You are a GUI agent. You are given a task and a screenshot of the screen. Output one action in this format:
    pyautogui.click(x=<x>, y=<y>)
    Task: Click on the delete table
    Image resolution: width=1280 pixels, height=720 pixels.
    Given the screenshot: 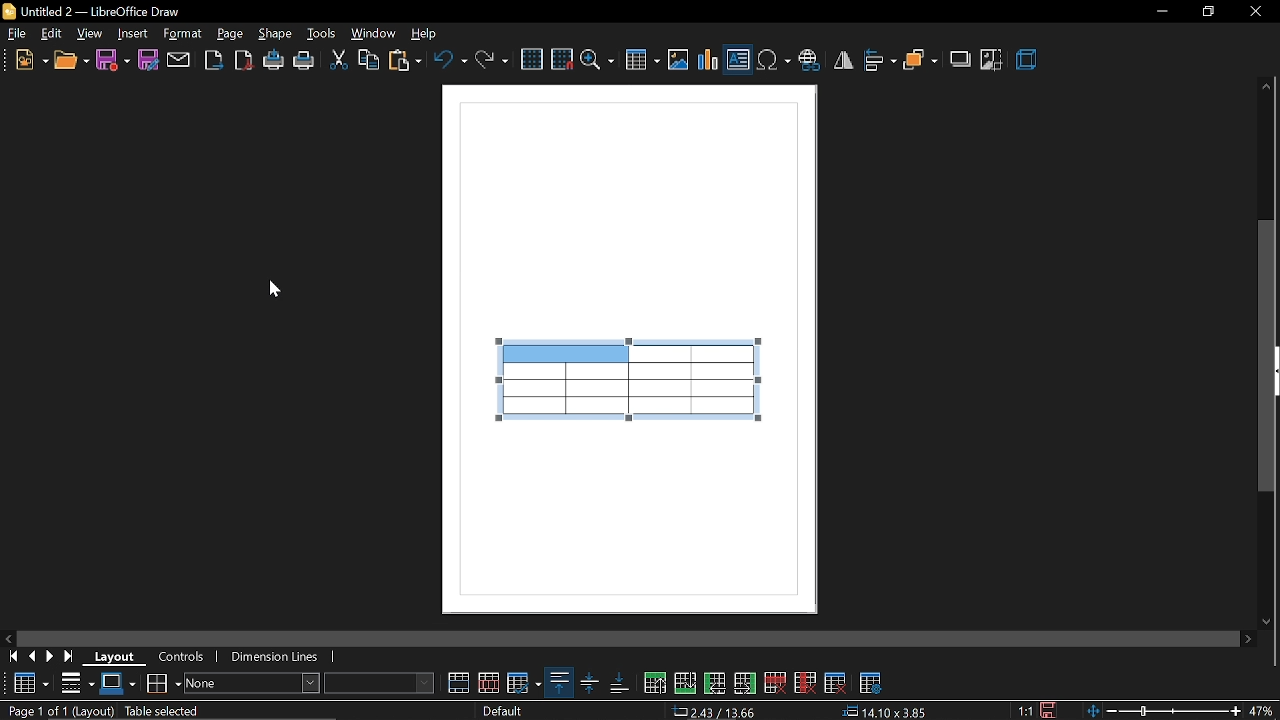 What is the action you would take?
    pyautogui.click(x=834, y=682)
    